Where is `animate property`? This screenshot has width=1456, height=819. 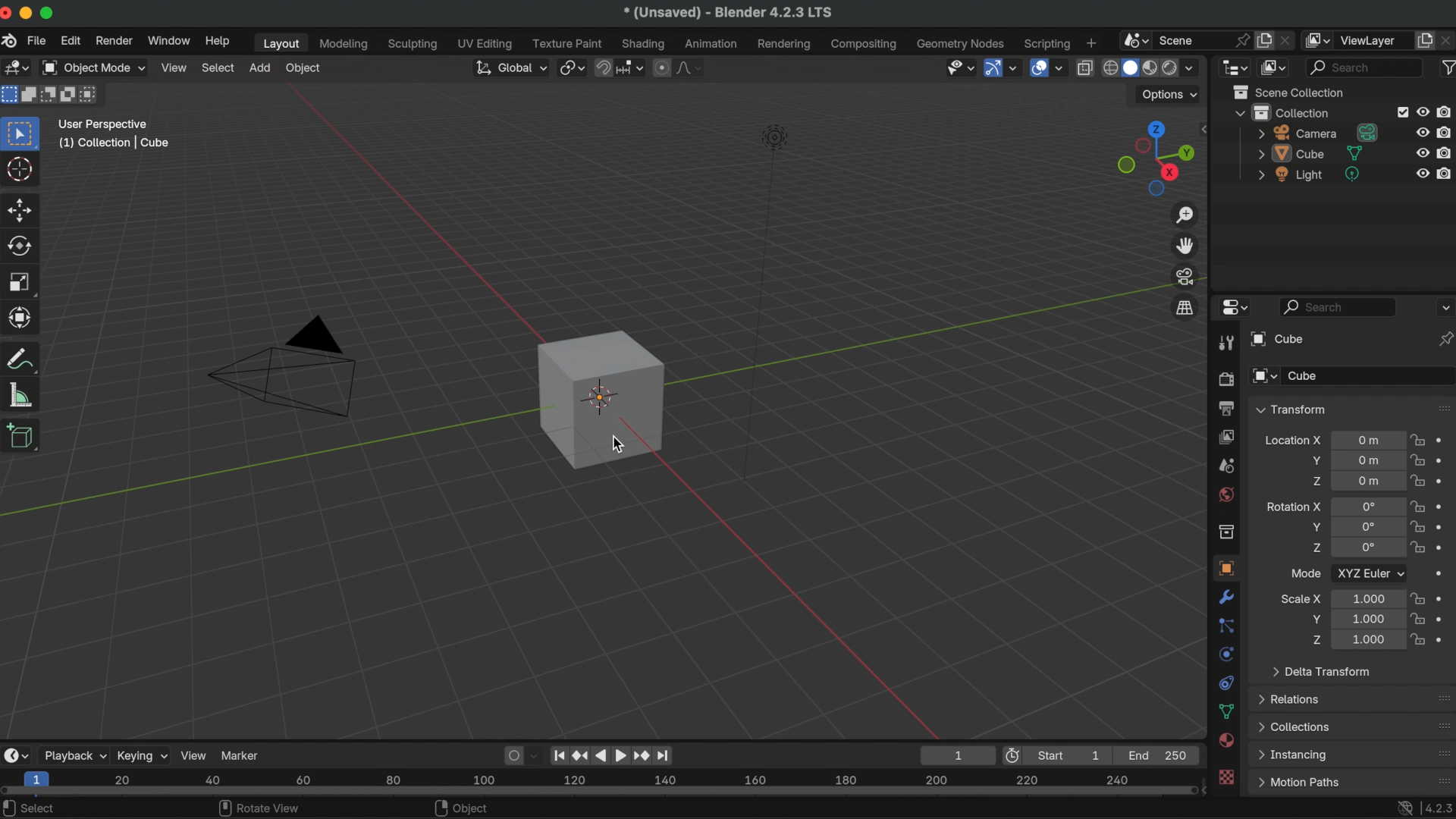 animate property is located at coordinates (1442, 598).